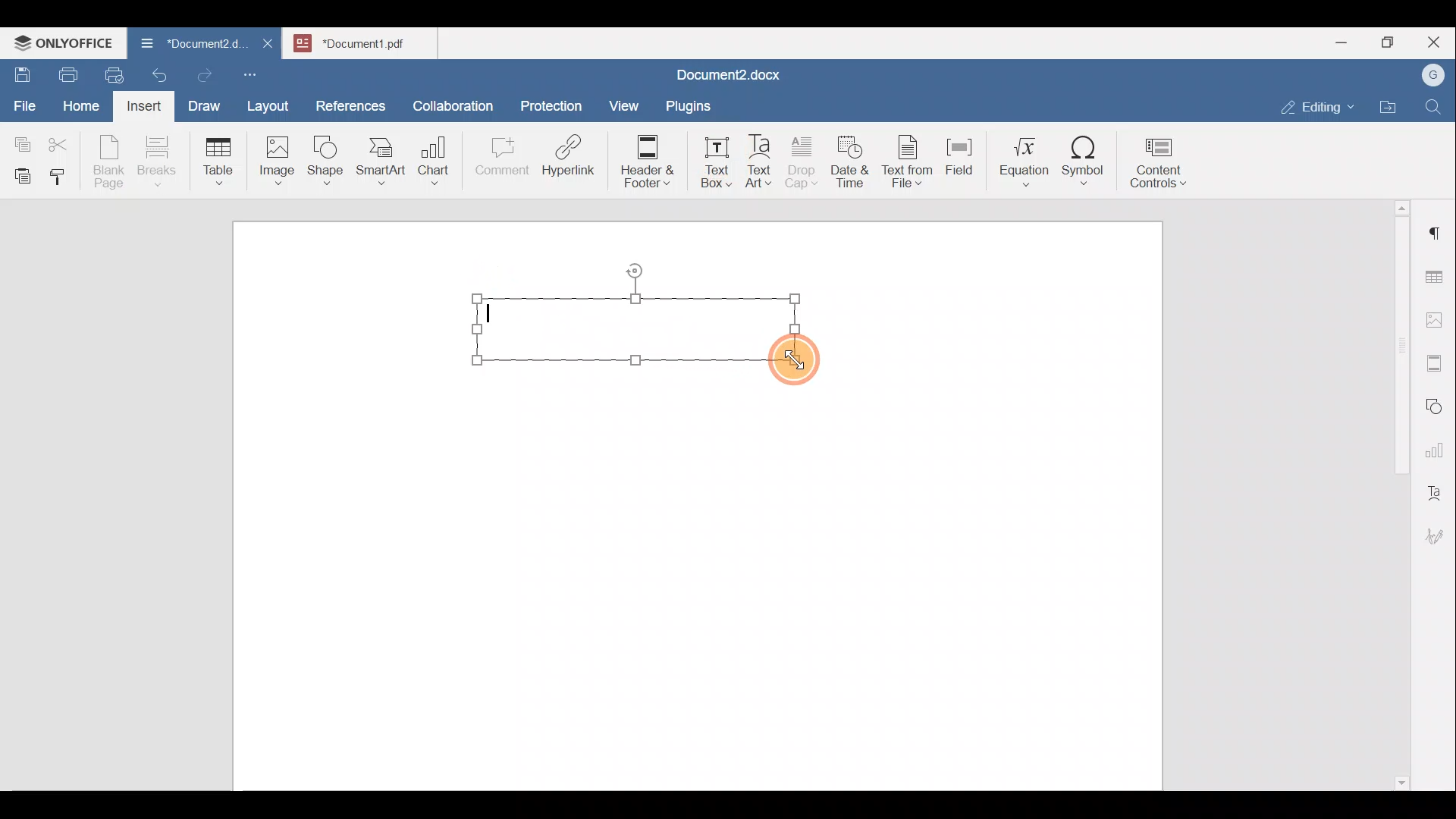 Image resolution: width=1456 pixels, height=819 pixels. Describe the element at coordinates (82, 105) in the screenshot. I see `Home` at that location.